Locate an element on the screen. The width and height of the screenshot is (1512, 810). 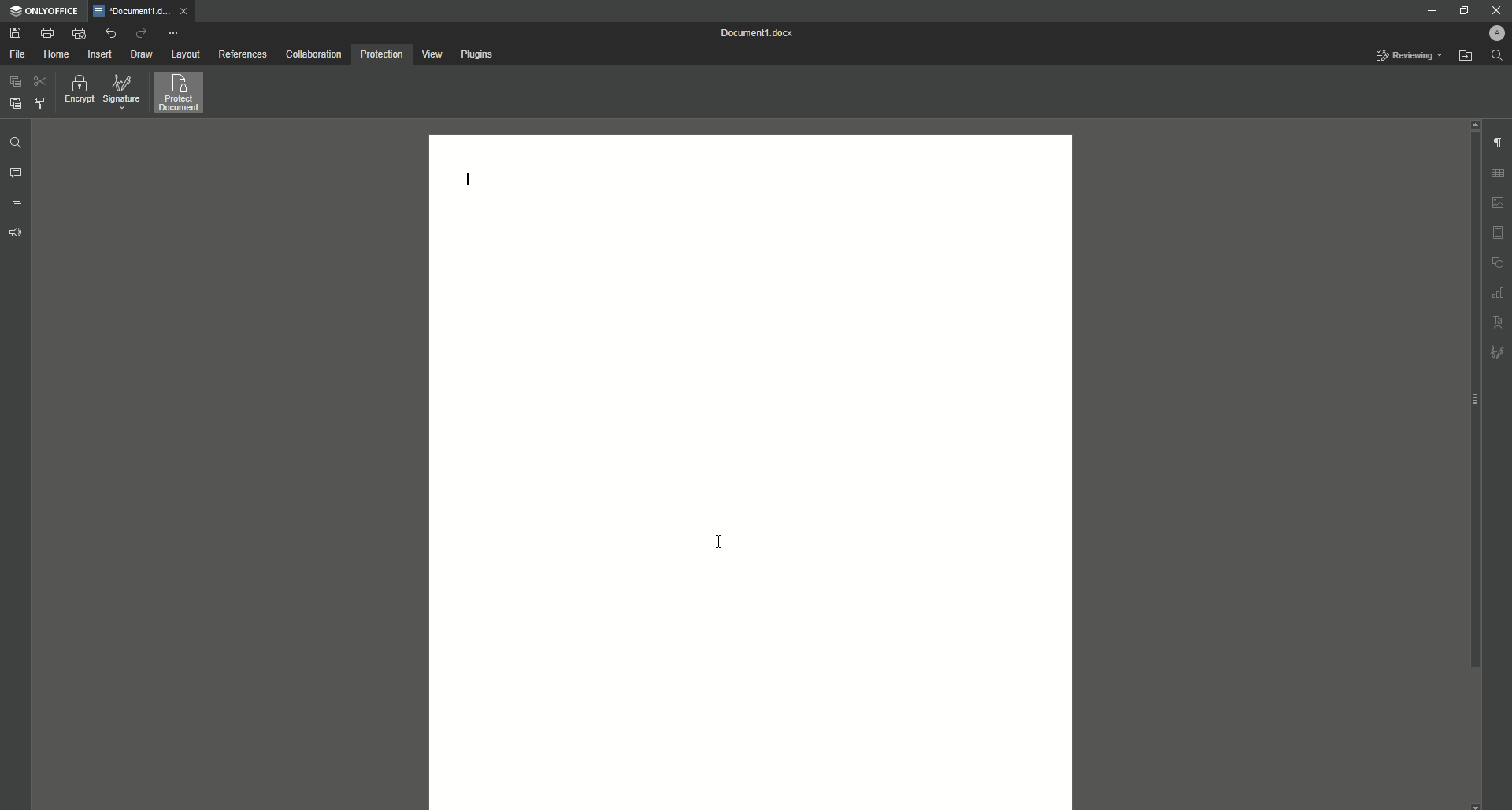
Save is located at coordinates (13, 32).